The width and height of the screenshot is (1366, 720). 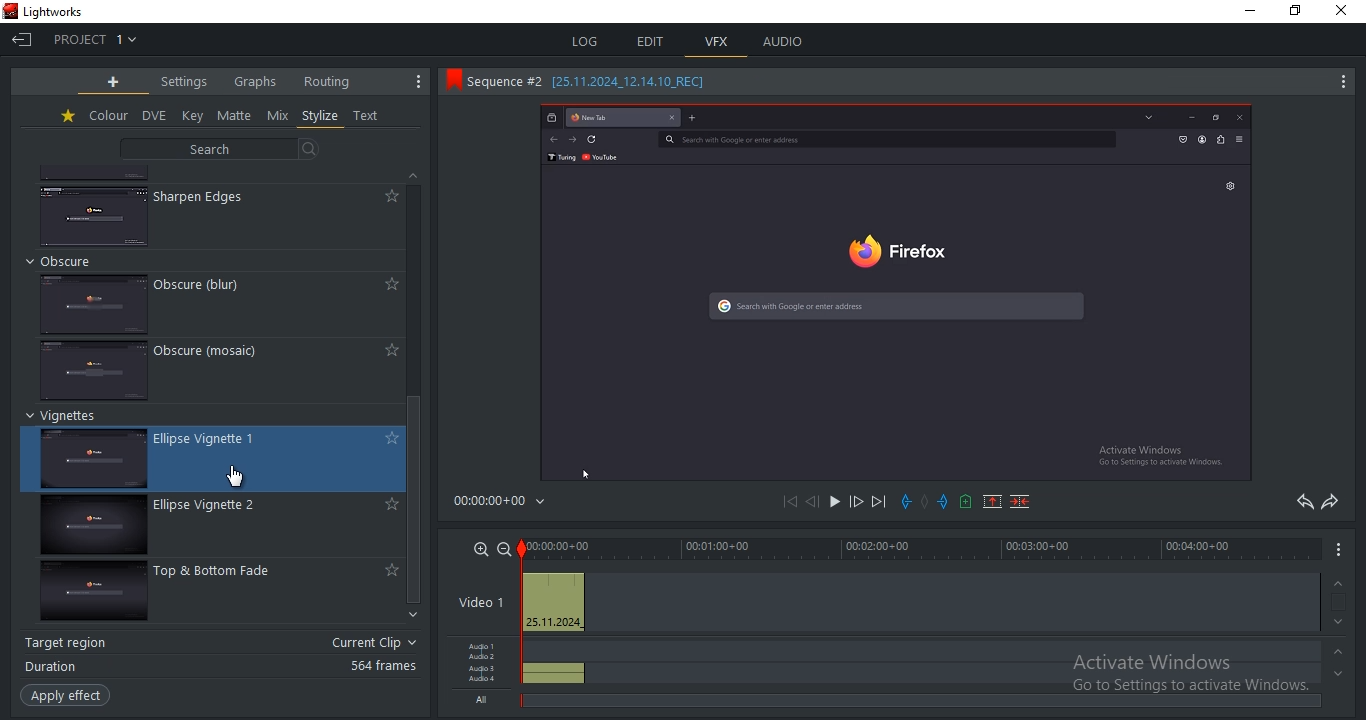 I want to click on mix, so click(x=278, y=116).